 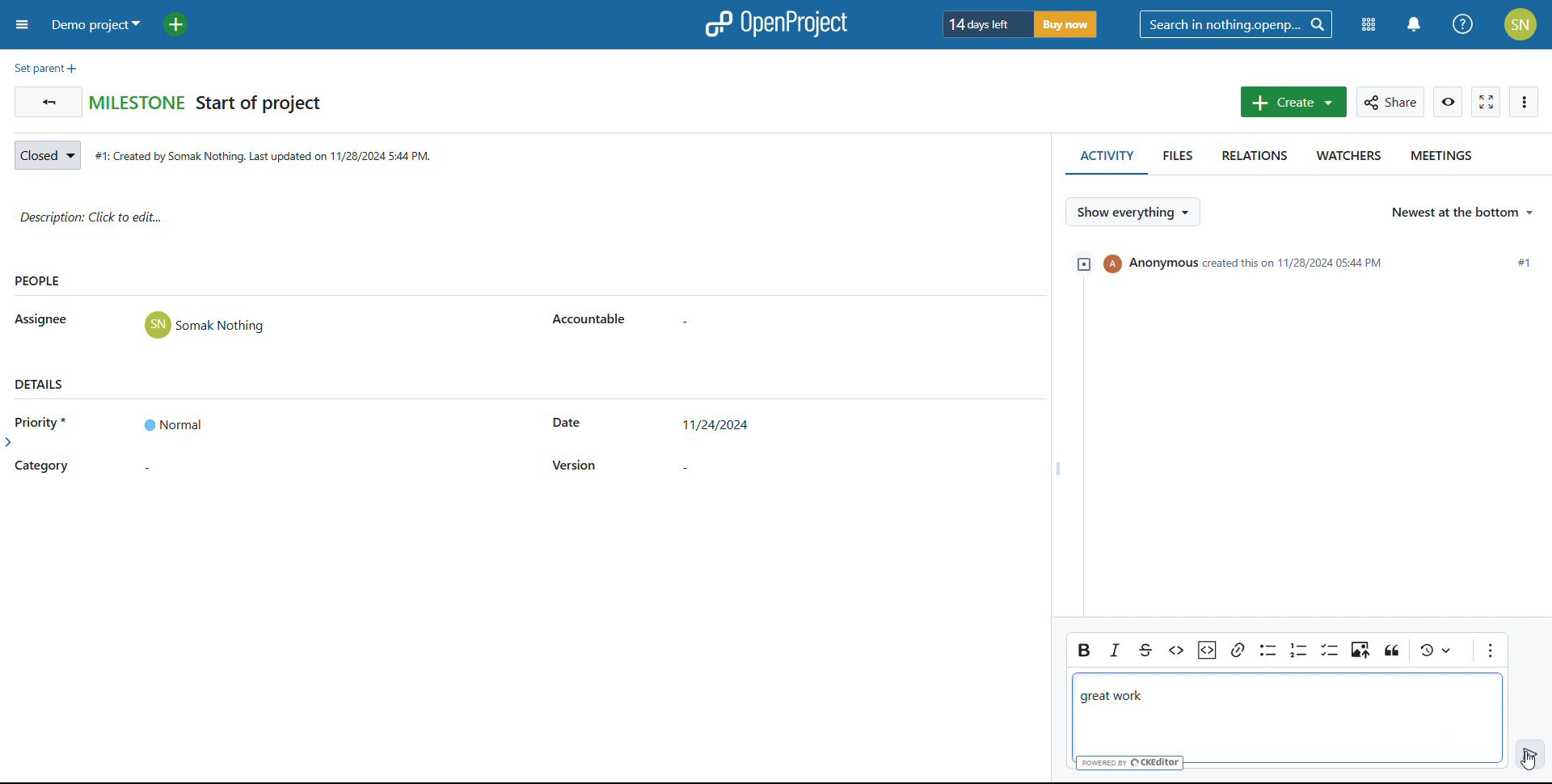 I want to click on block quote, so click(x=1439, y=649).